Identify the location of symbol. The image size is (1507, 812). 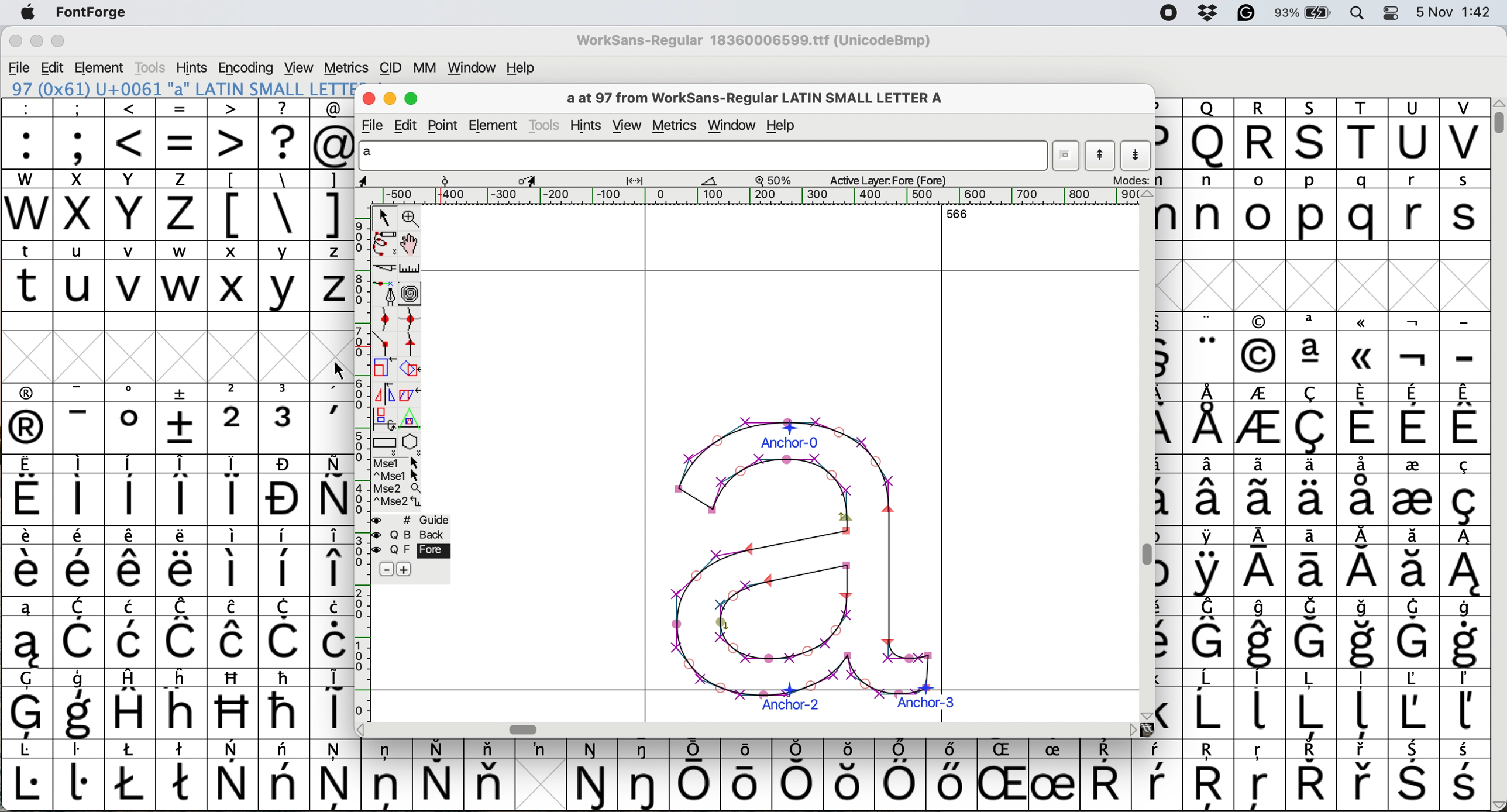
(696, 775).